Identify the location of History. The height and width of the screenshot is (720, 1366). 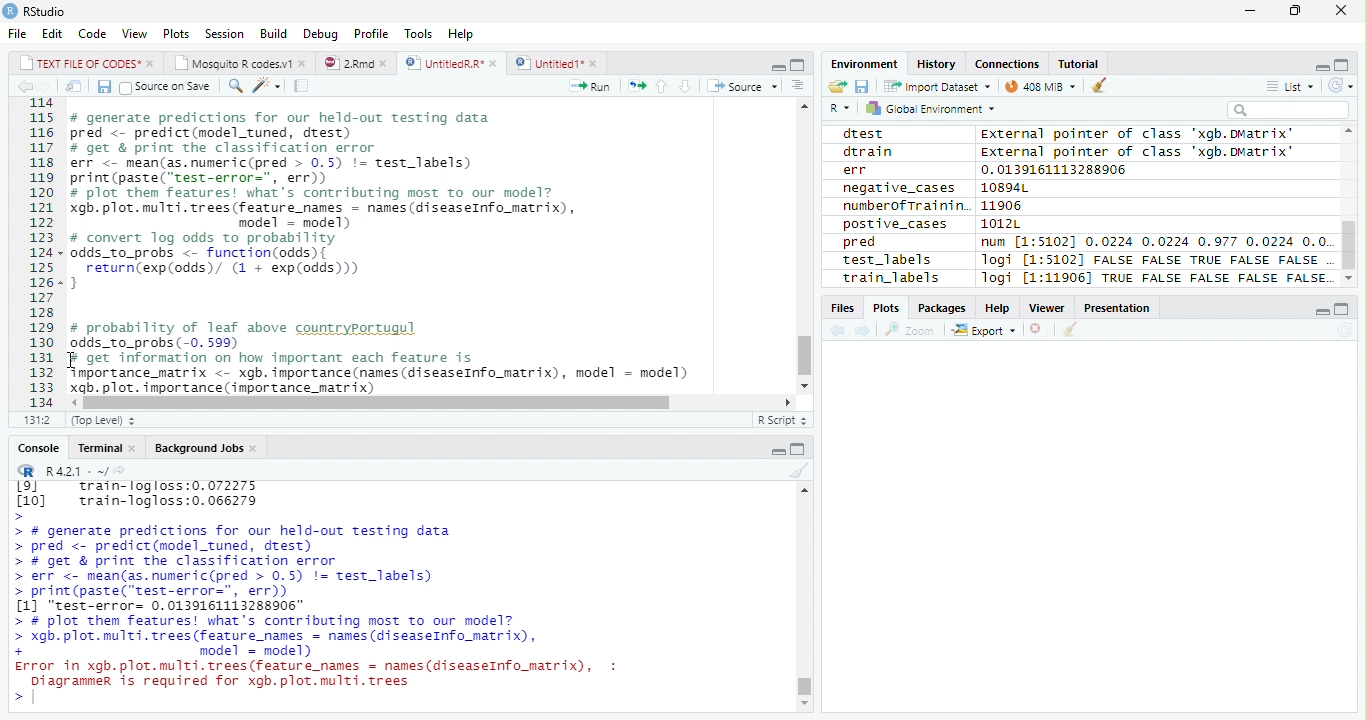
(938, 64).